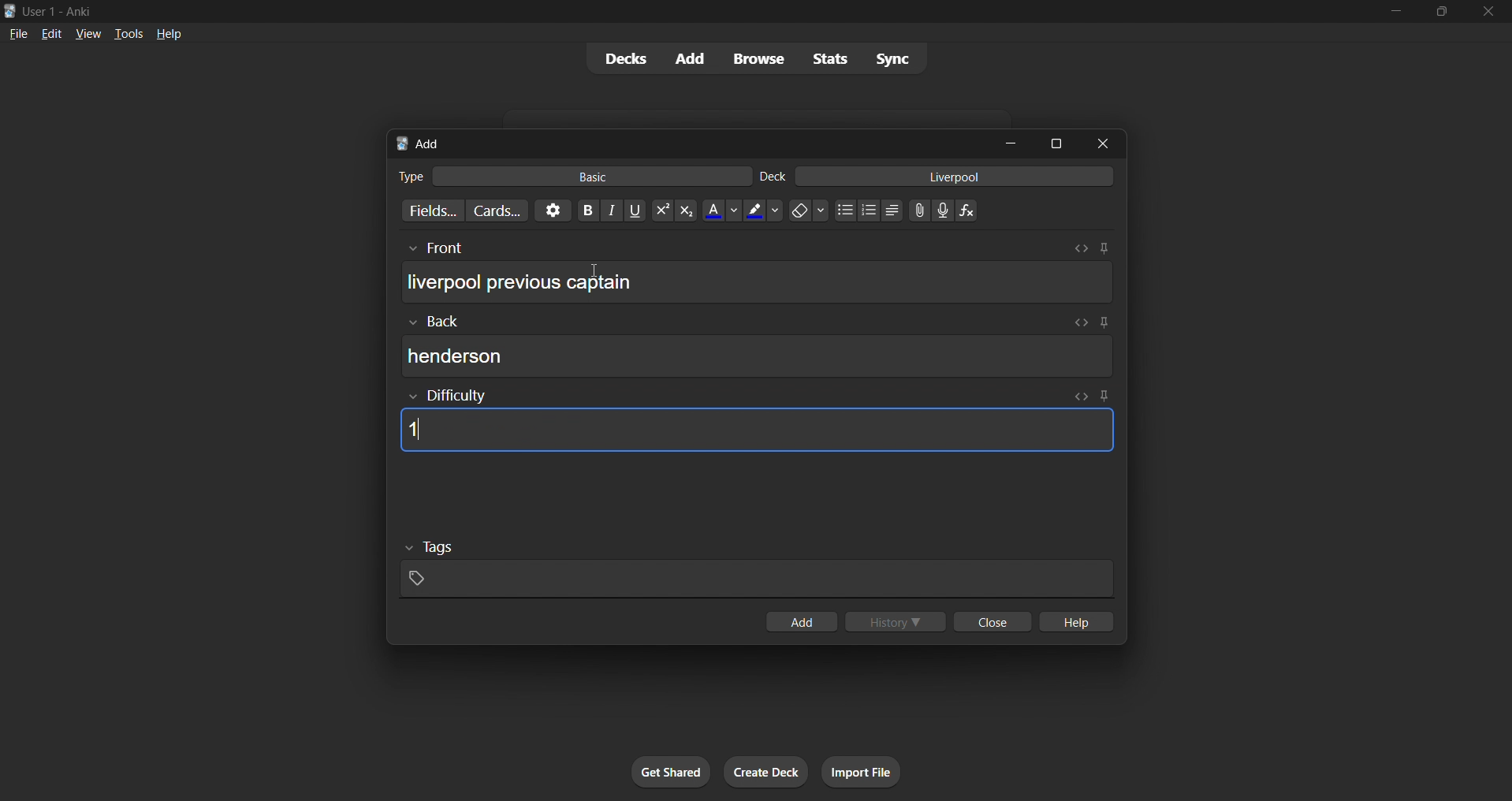 This screenshot has width=1512, height=801. I want to click on file, so click(15, 33).